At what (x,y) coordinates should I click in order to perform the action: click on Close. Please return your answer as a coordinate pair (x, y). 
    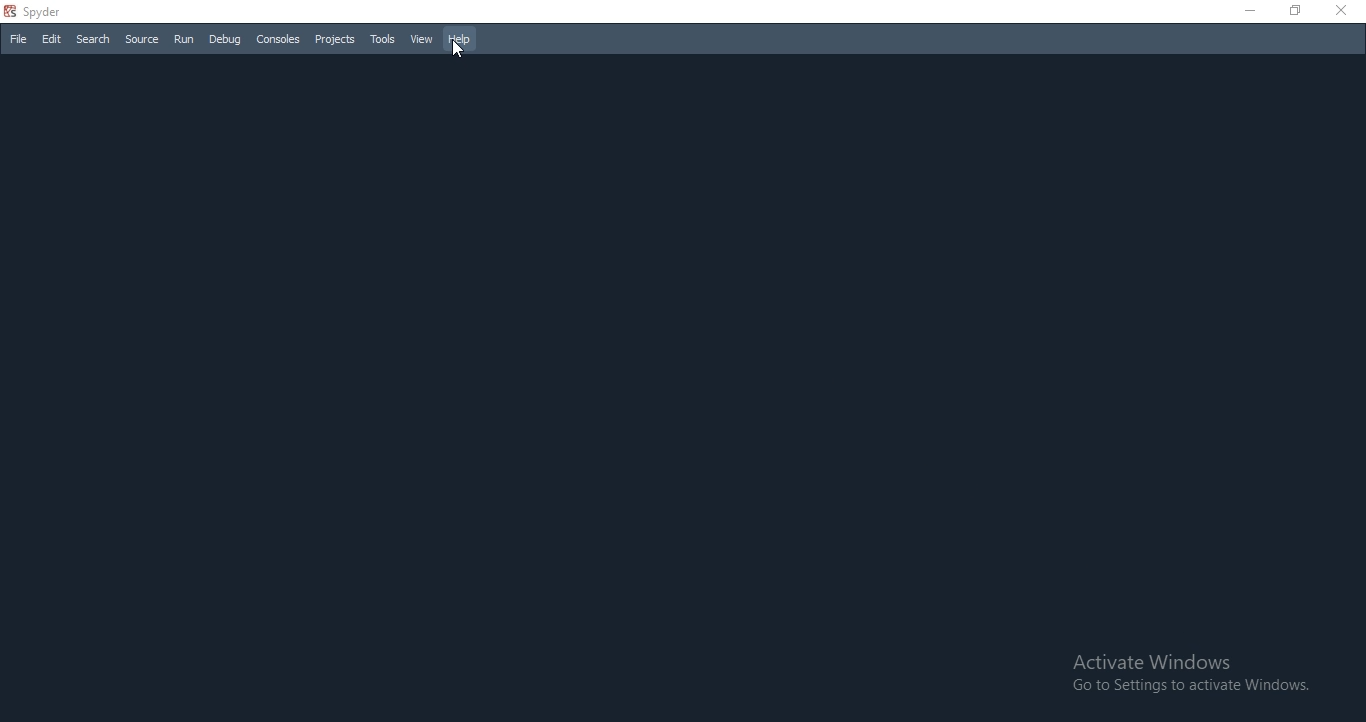
    Looking at the image, I should click on (1346, 10).